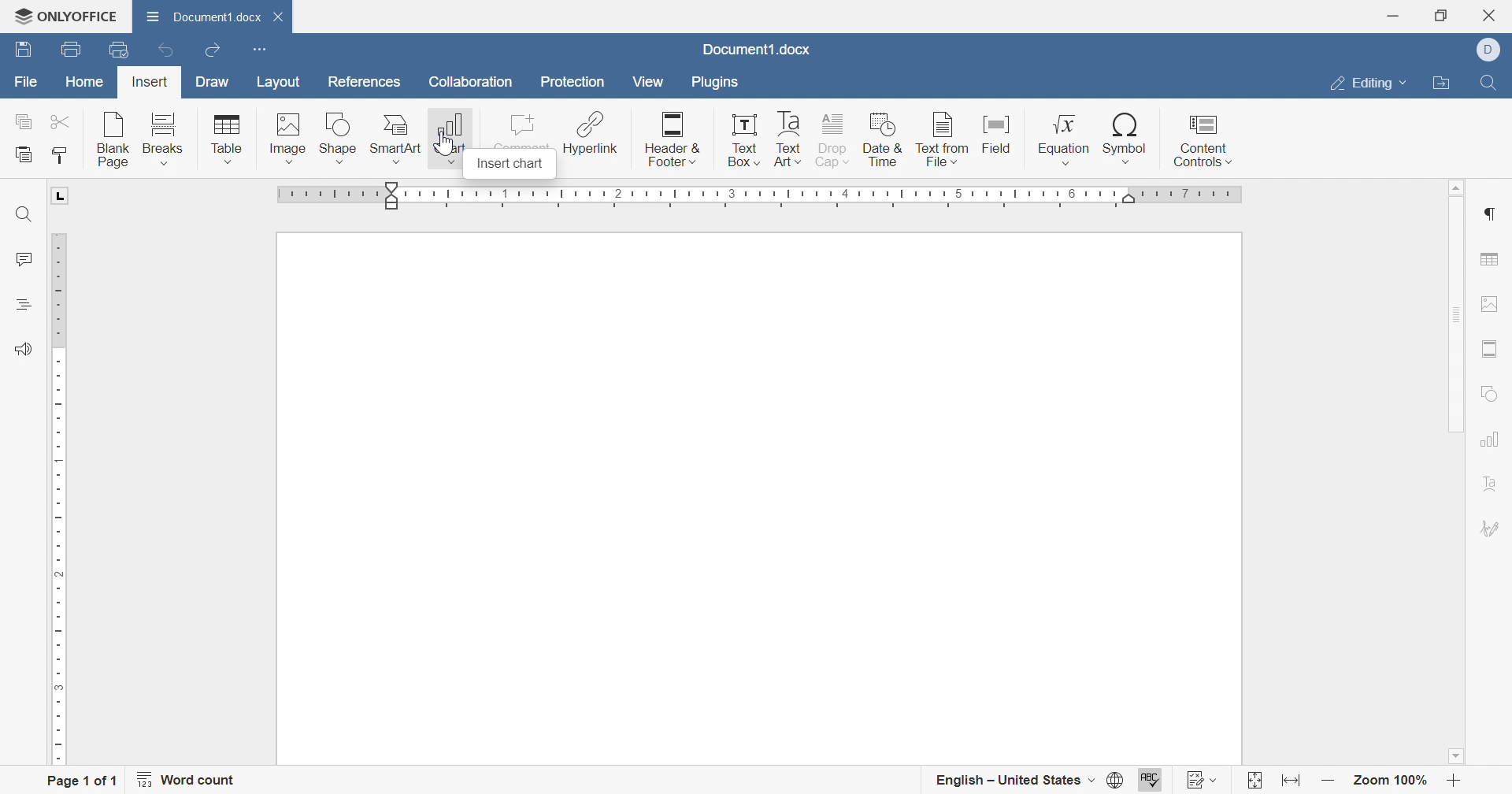 This screenshot has height=794, width=1512. What do you see at coordinates (448, 134) in the screenshot?
I see `Insert chart` at bounding box center [448, 134].